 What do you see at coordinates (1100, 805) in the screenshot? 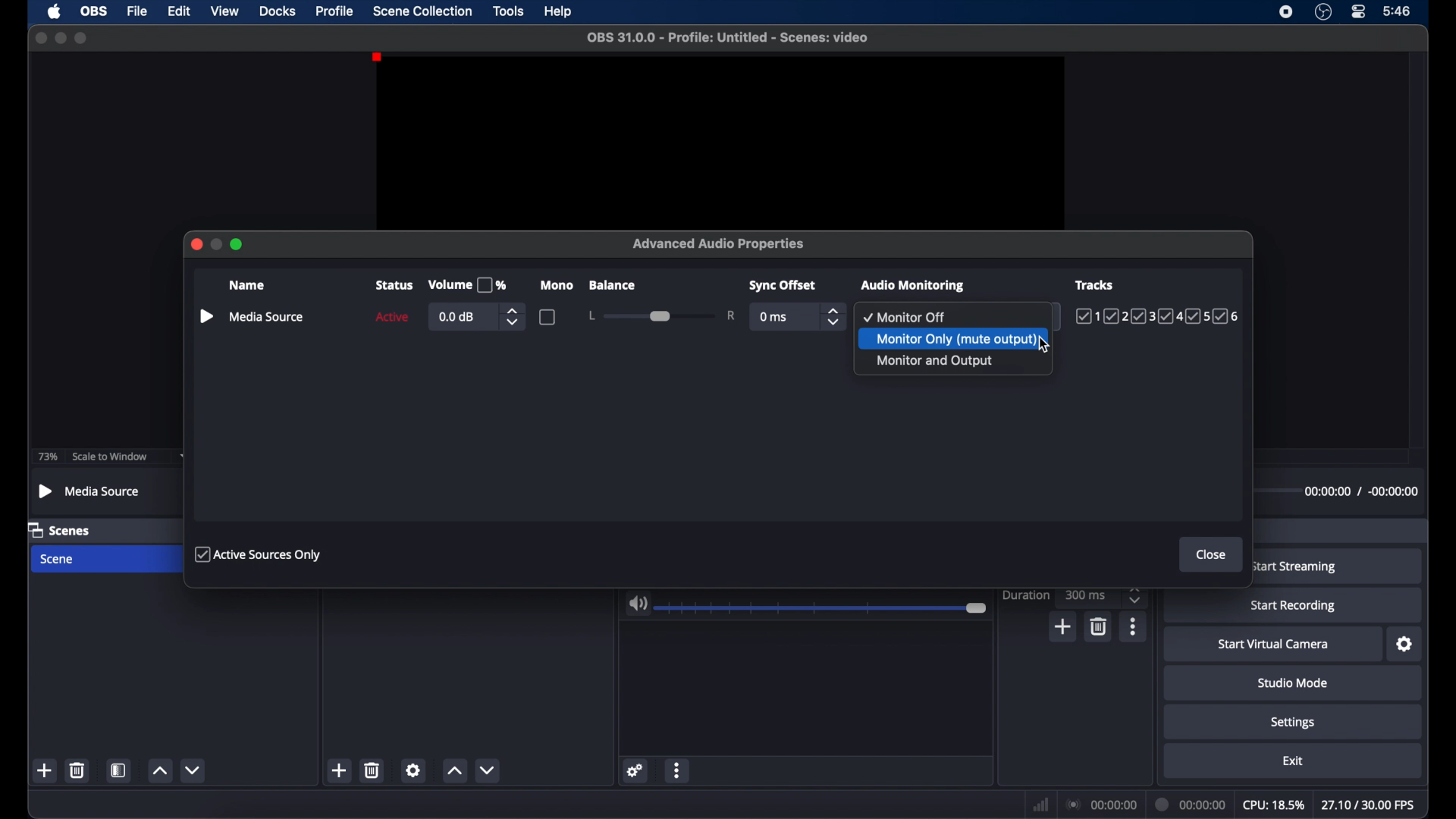
I see `connection` at bounding box center [1100, 805].